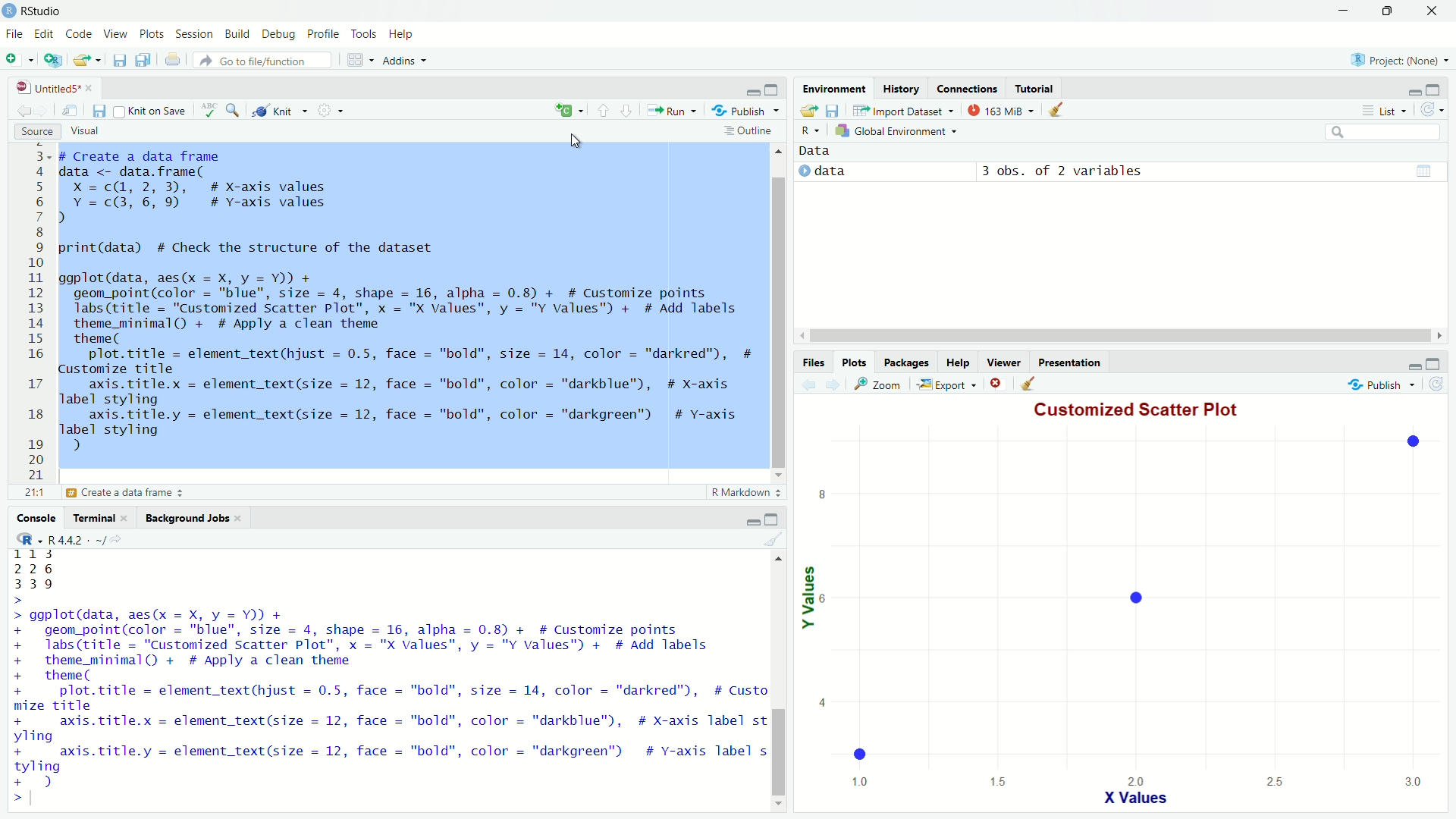  I want to click on Copy File, so click(570, 112).